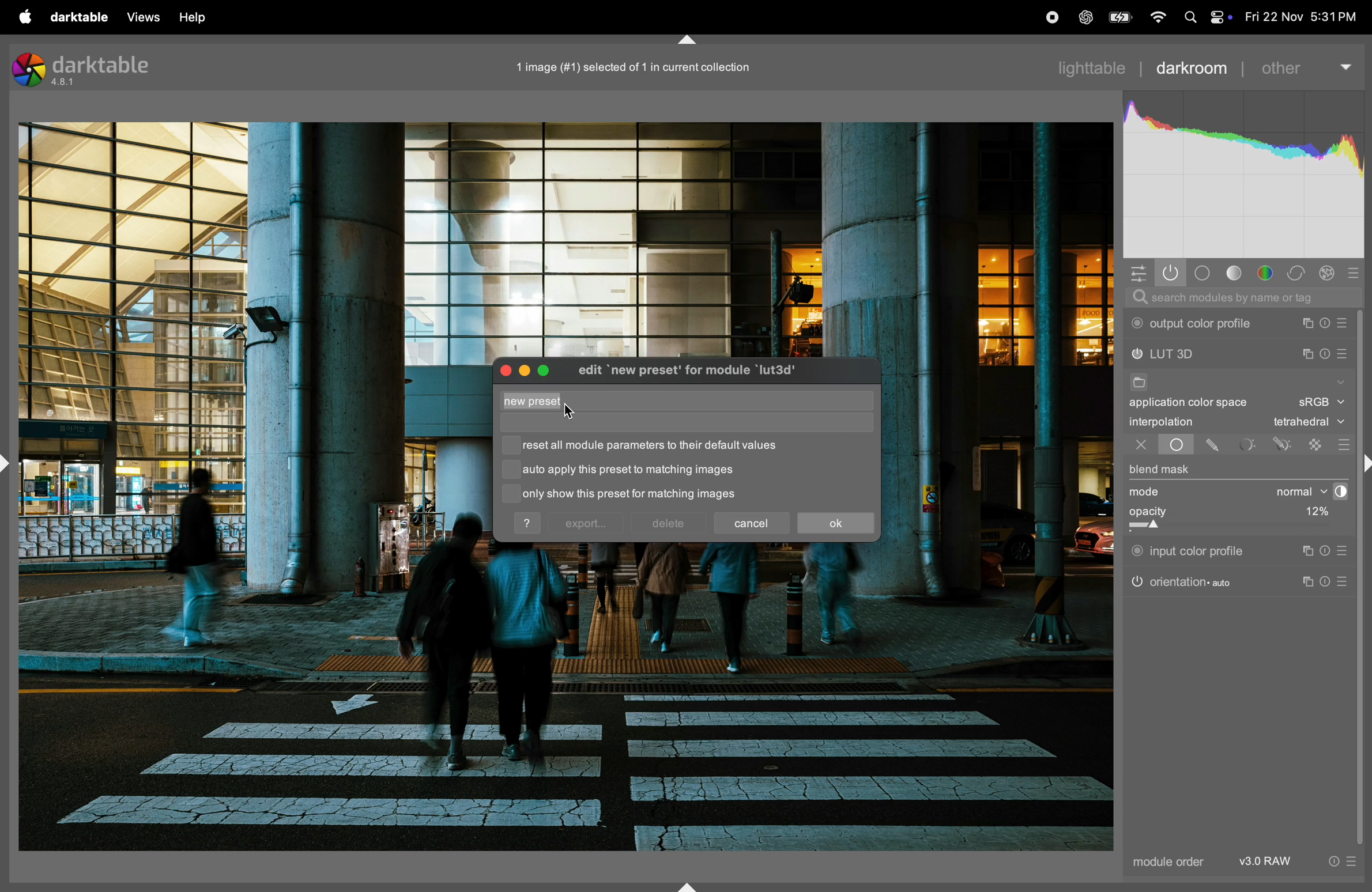  Describe the element at coordinates (1219, 17) in the screenshot. I see `apple widgets` at that location.